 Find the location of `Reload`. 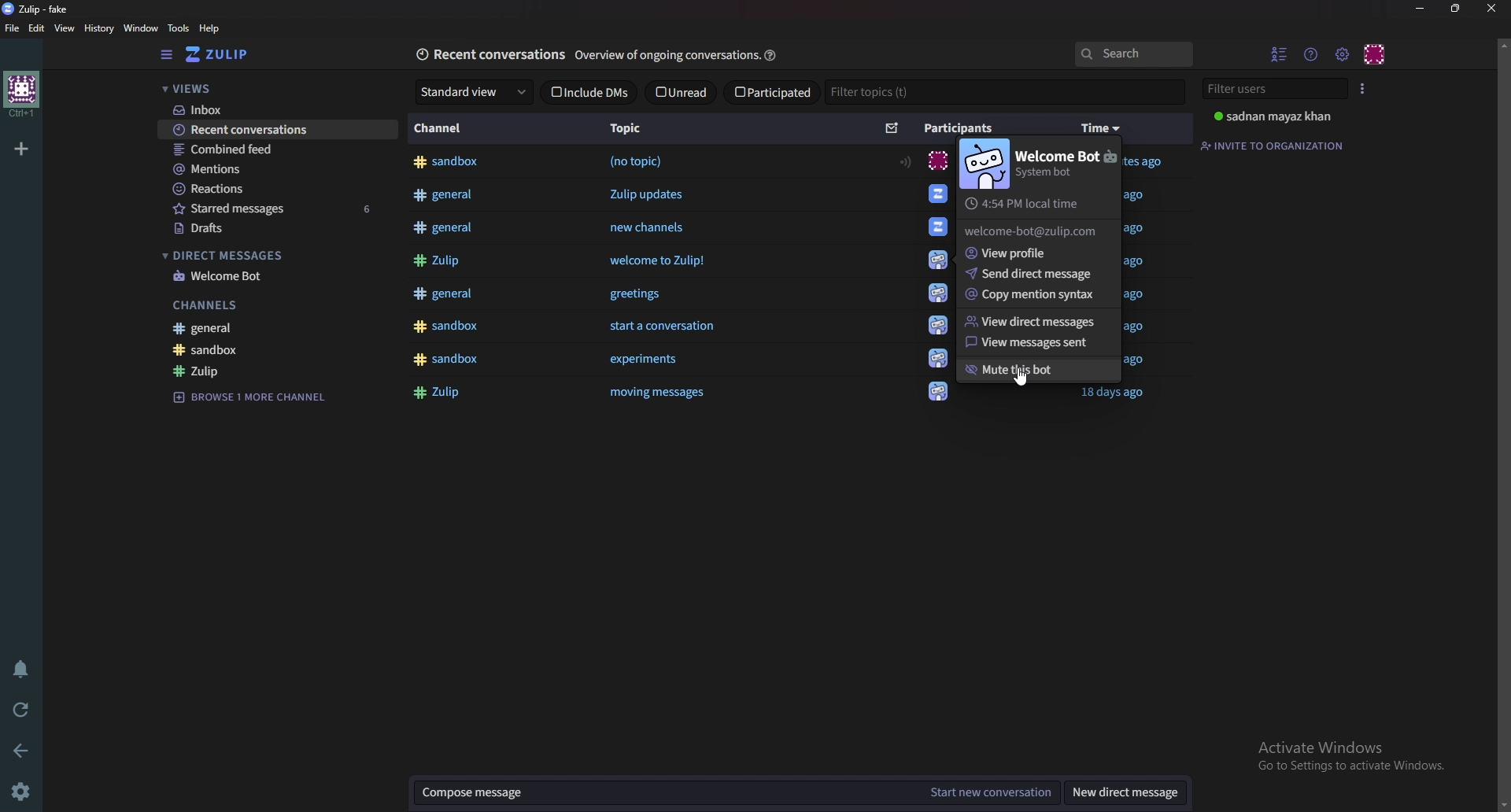

Reload is located at coordinates (17, 708).